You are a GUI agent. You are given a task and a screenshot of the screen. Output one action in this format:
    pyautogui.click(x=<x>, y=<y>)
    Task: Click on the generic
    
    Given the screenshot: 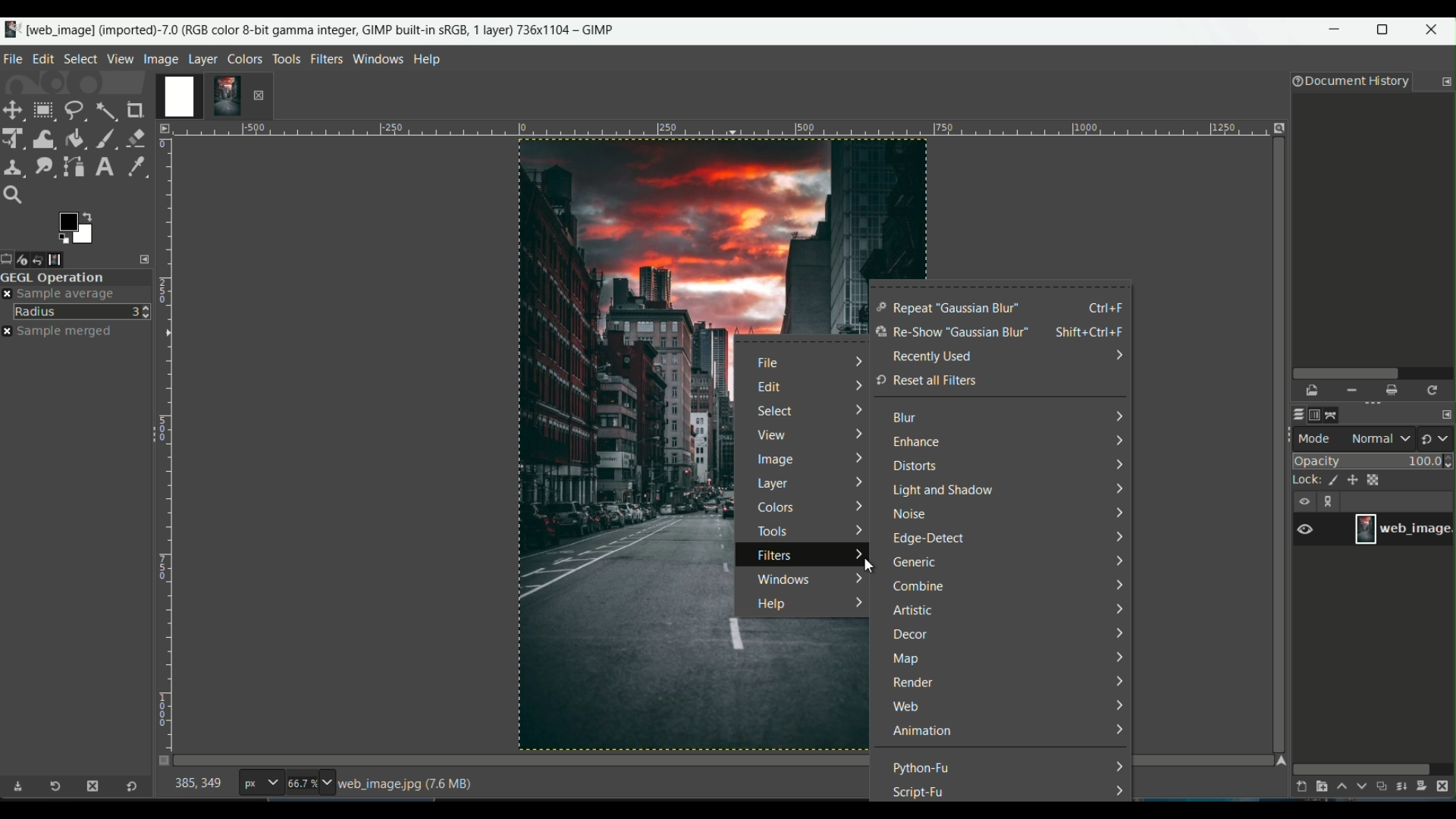 What is the action you would take?
    pyautogui.click(x=915, y=564)
    